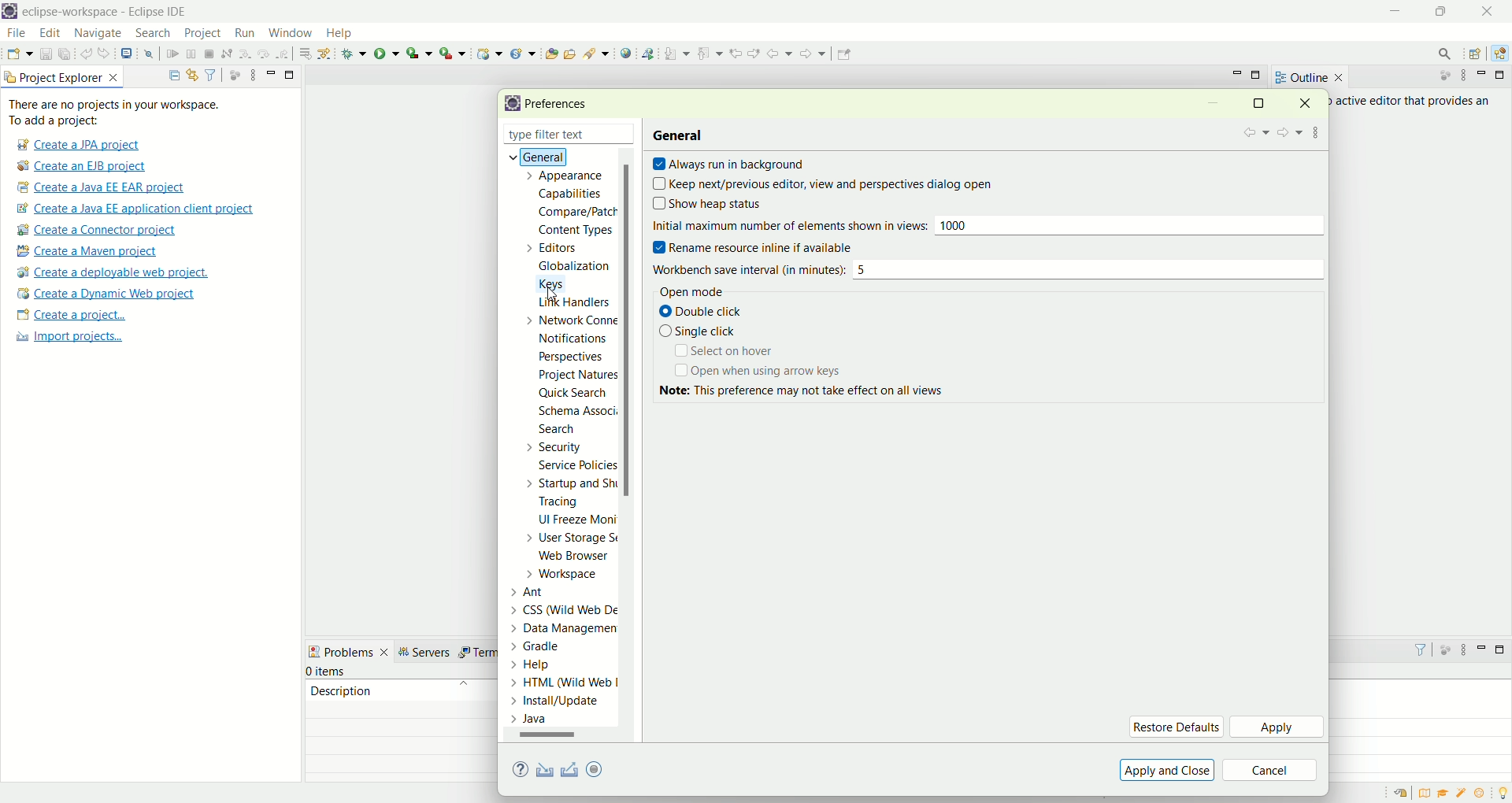 The image size is (1512, 803). What do you see at coordinates (629, 135) in the screenshot?
I see `close` at bounding box center [629, 135].